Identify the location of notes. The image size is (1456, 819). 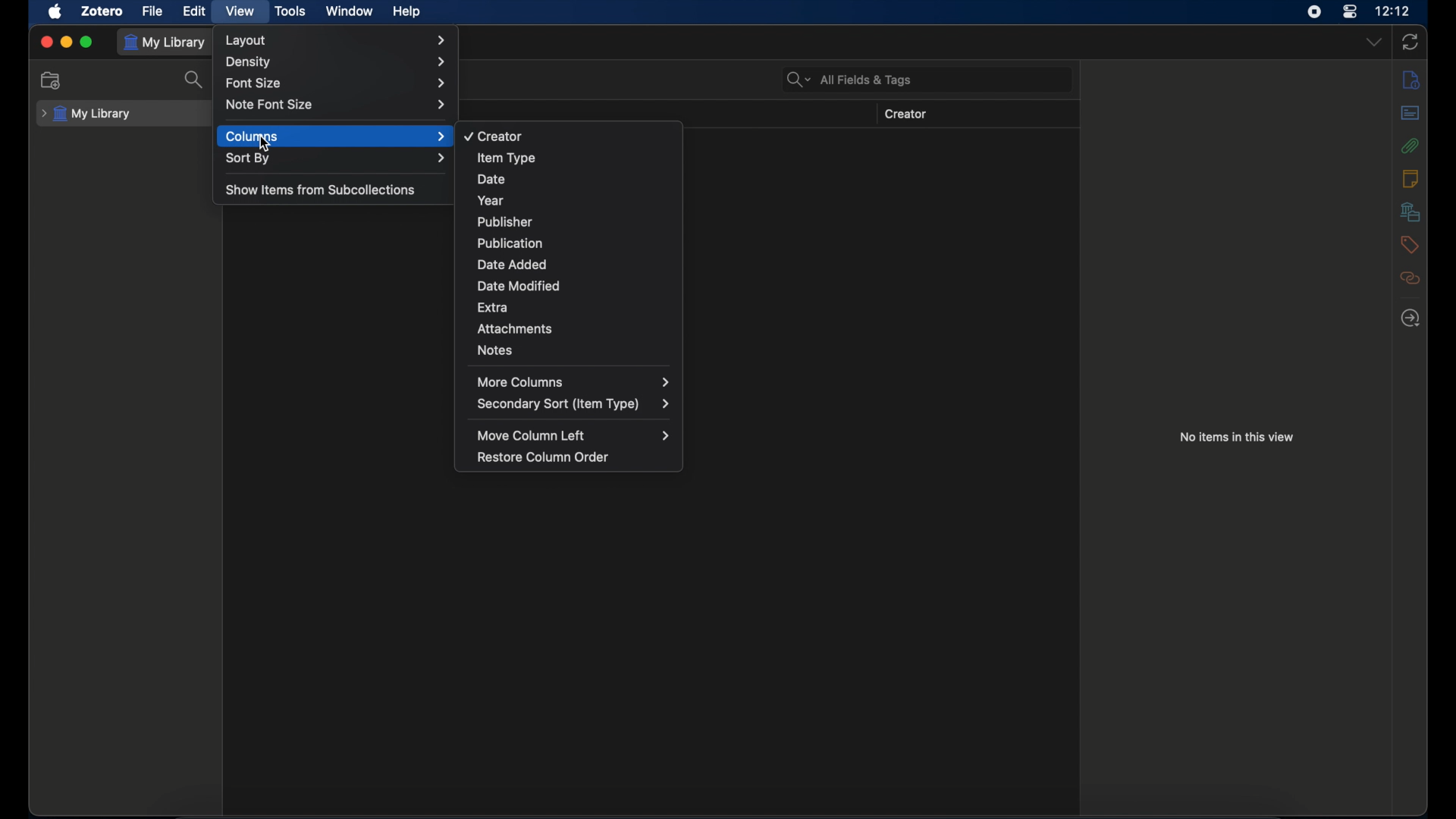
(1410, 177).